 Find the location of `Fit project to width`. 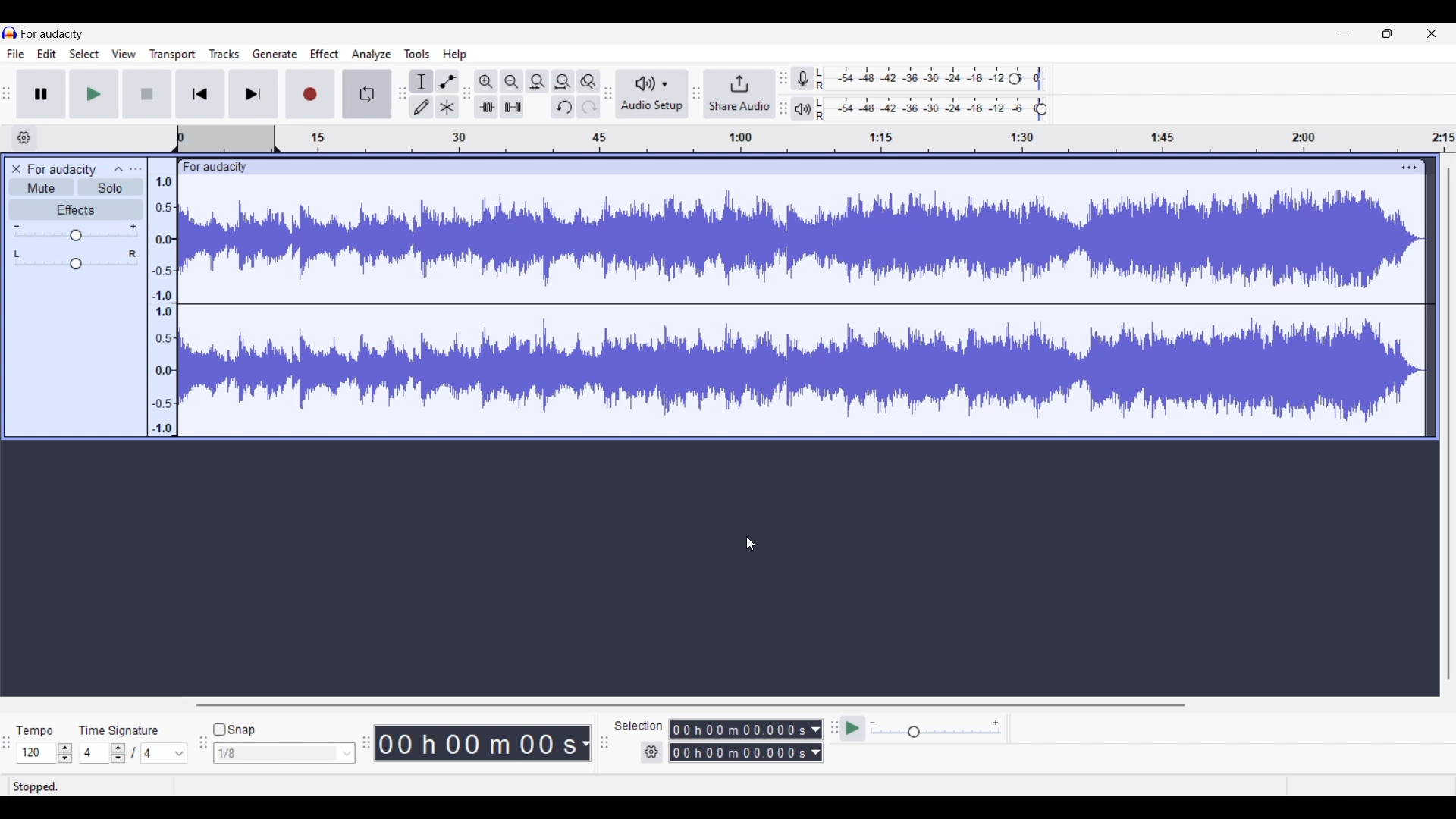

Fit project to width is located at coordinates (563, 82).